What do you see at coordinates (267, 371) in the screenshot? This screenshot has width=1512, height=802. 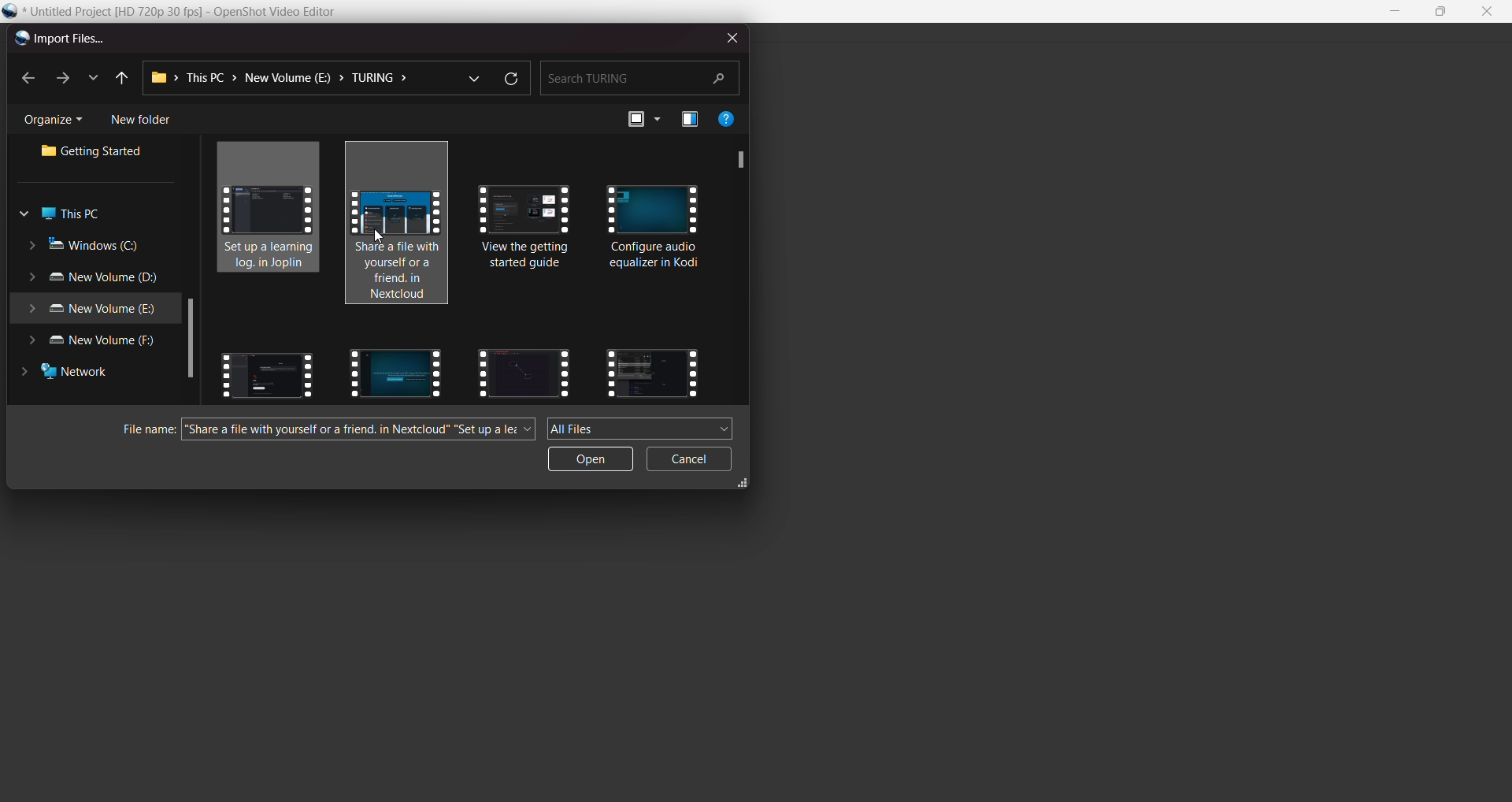 I see `videos` at bounding box center [267, 371].